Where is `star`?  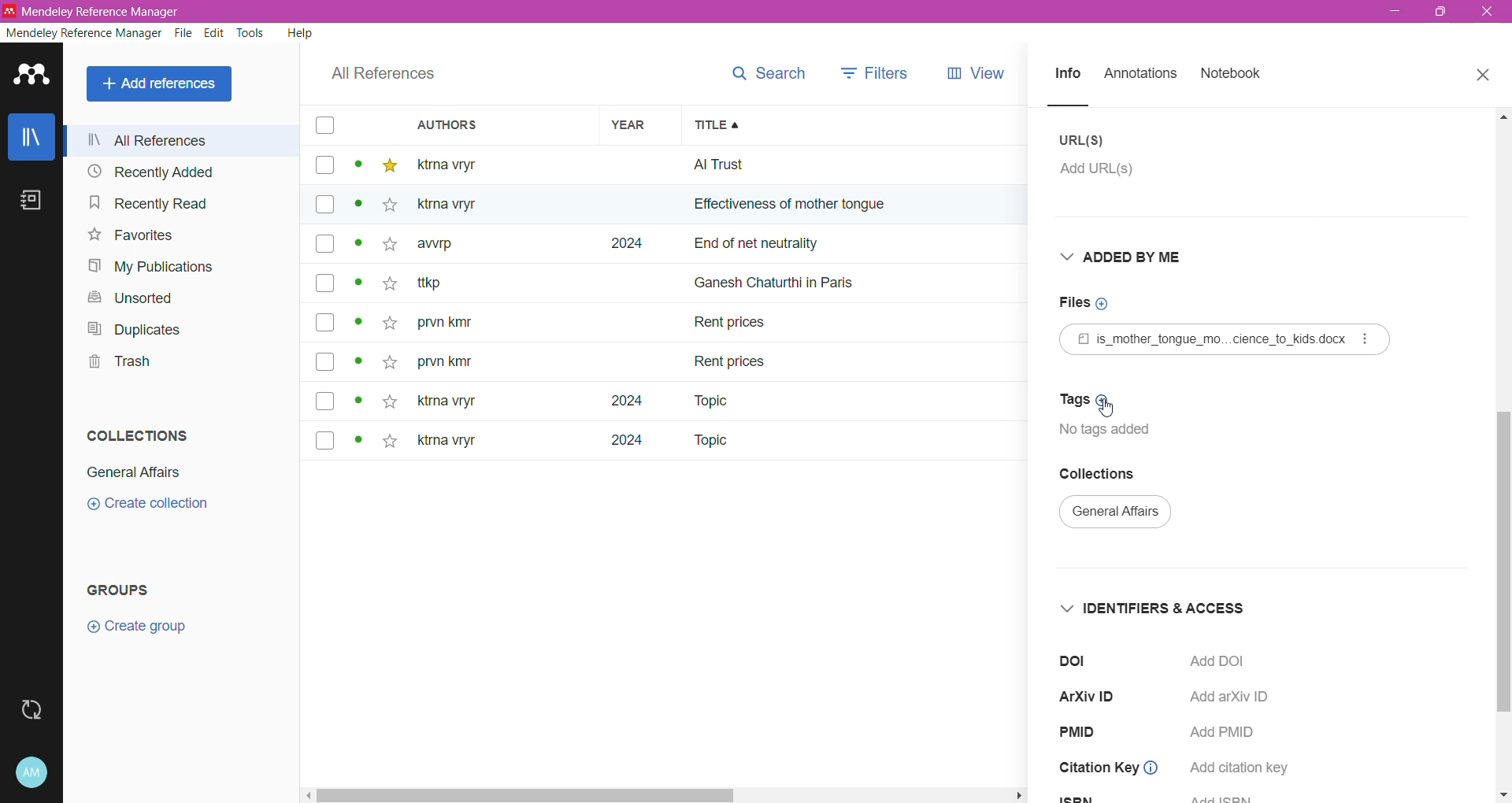
star is located at coordinates (389, 443).